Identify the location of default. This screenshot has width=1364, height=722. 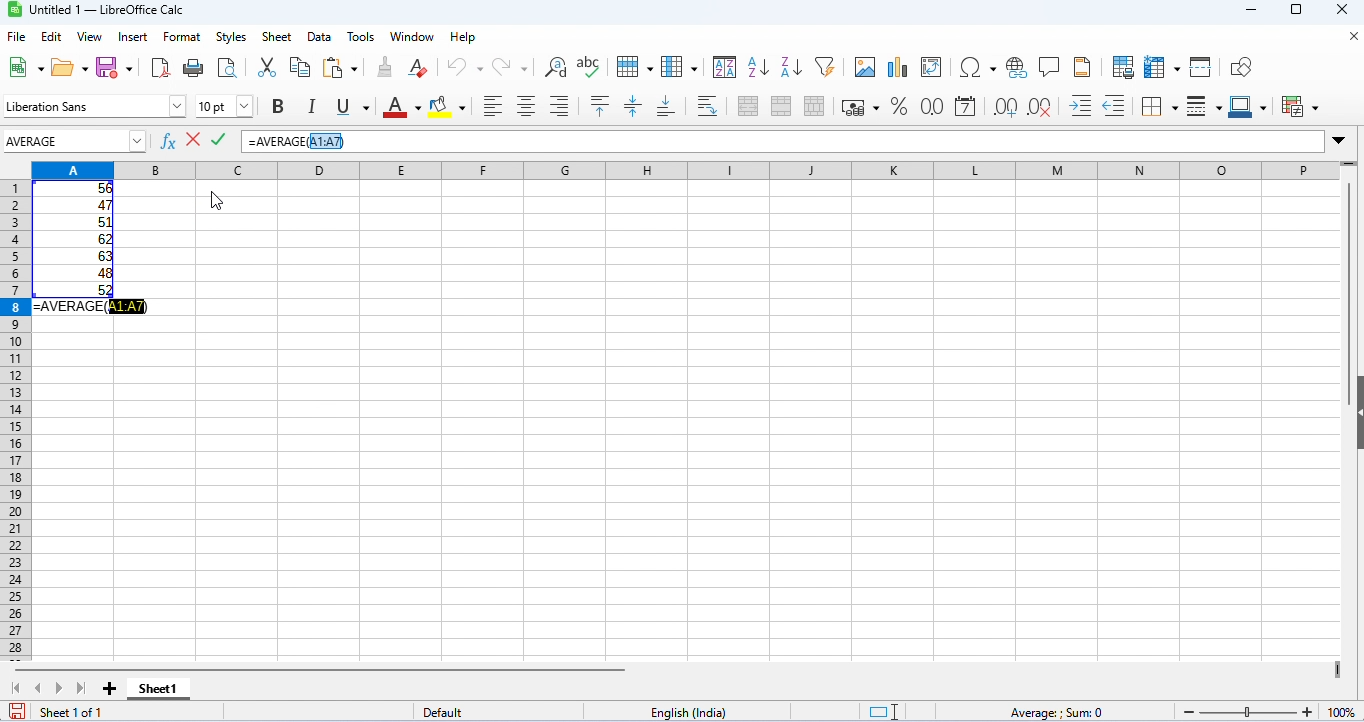
(448, 713).